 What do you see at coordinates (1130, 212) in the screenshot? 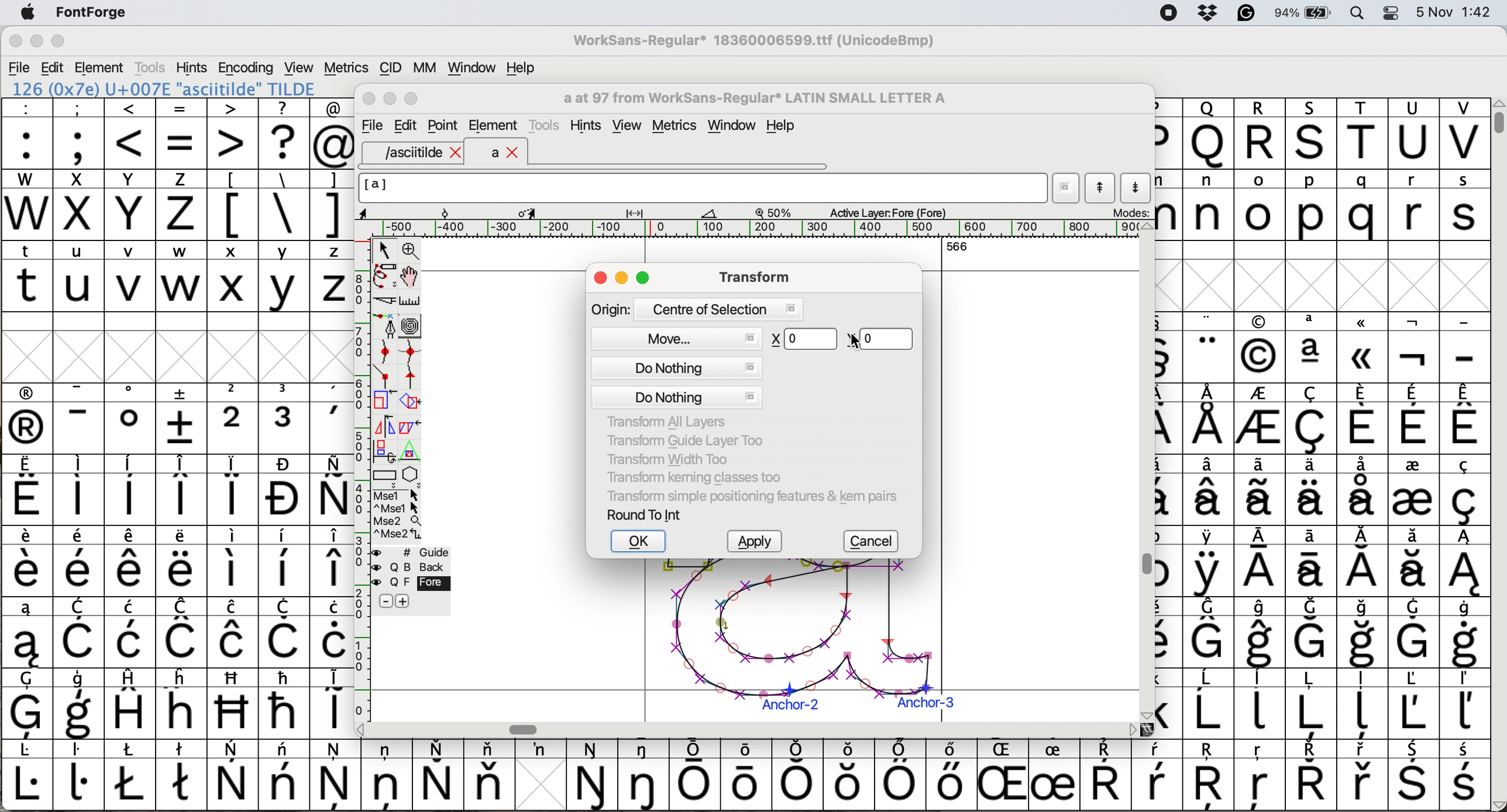
I see `modes` at bounding box center [1130, 212].